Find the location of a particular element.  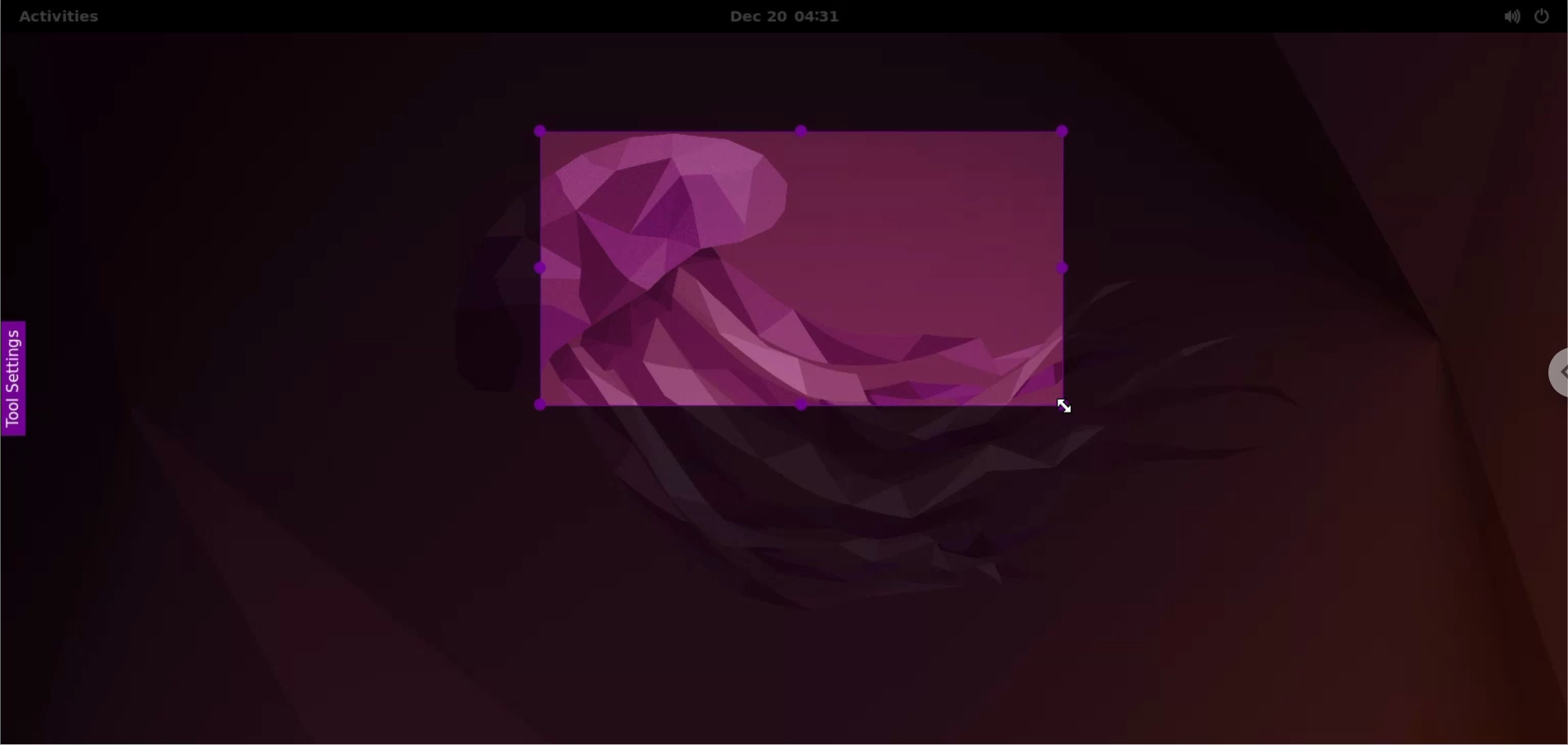

cursor is located at coordinates (1074, 410).